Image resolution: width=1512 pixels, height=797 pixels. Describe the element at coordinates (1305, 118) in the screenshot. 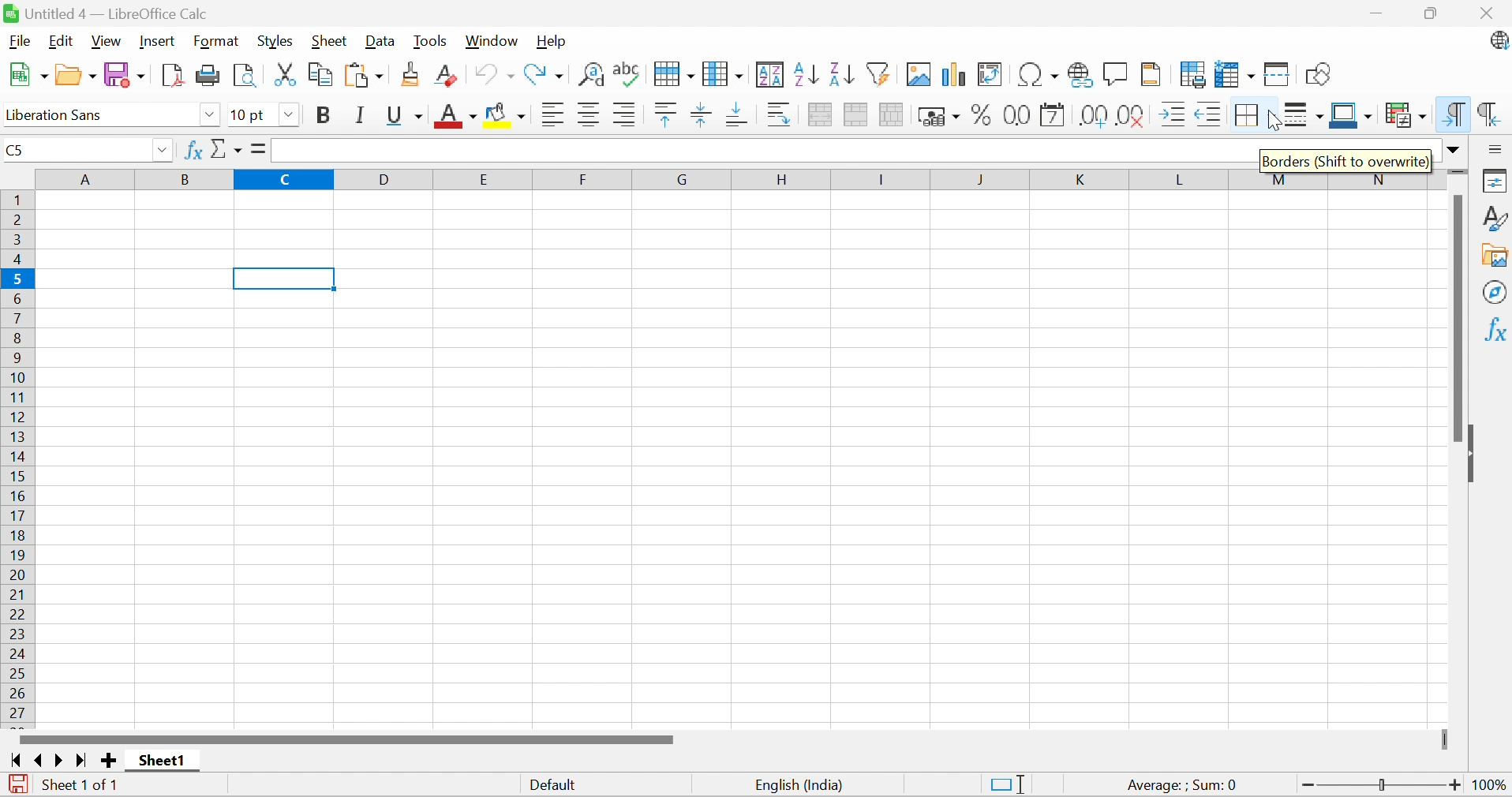

I see `Border style` at that location.